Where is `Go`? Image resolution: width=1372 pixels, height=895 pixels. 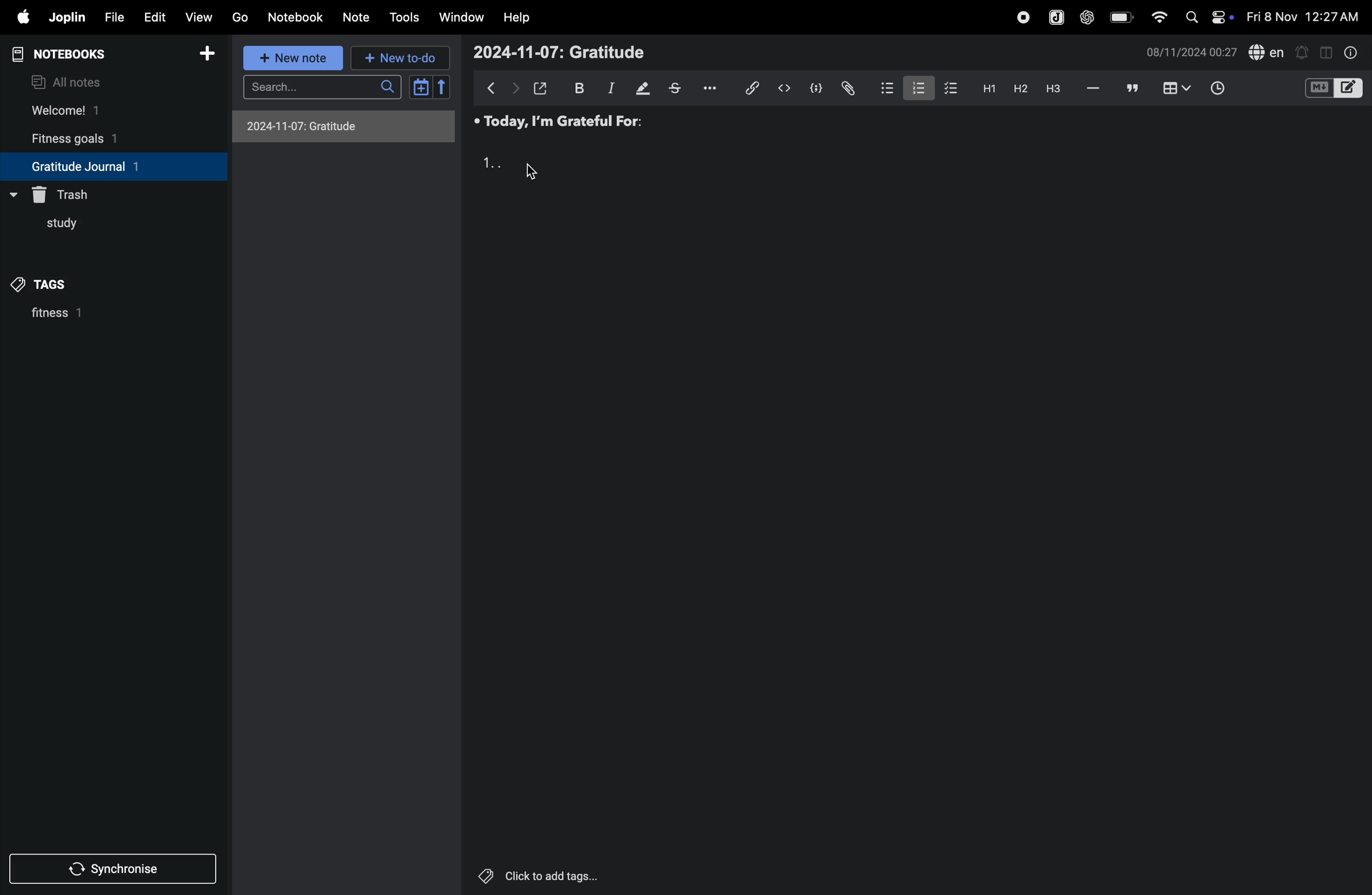
Go is located at coordinates (240, 16).